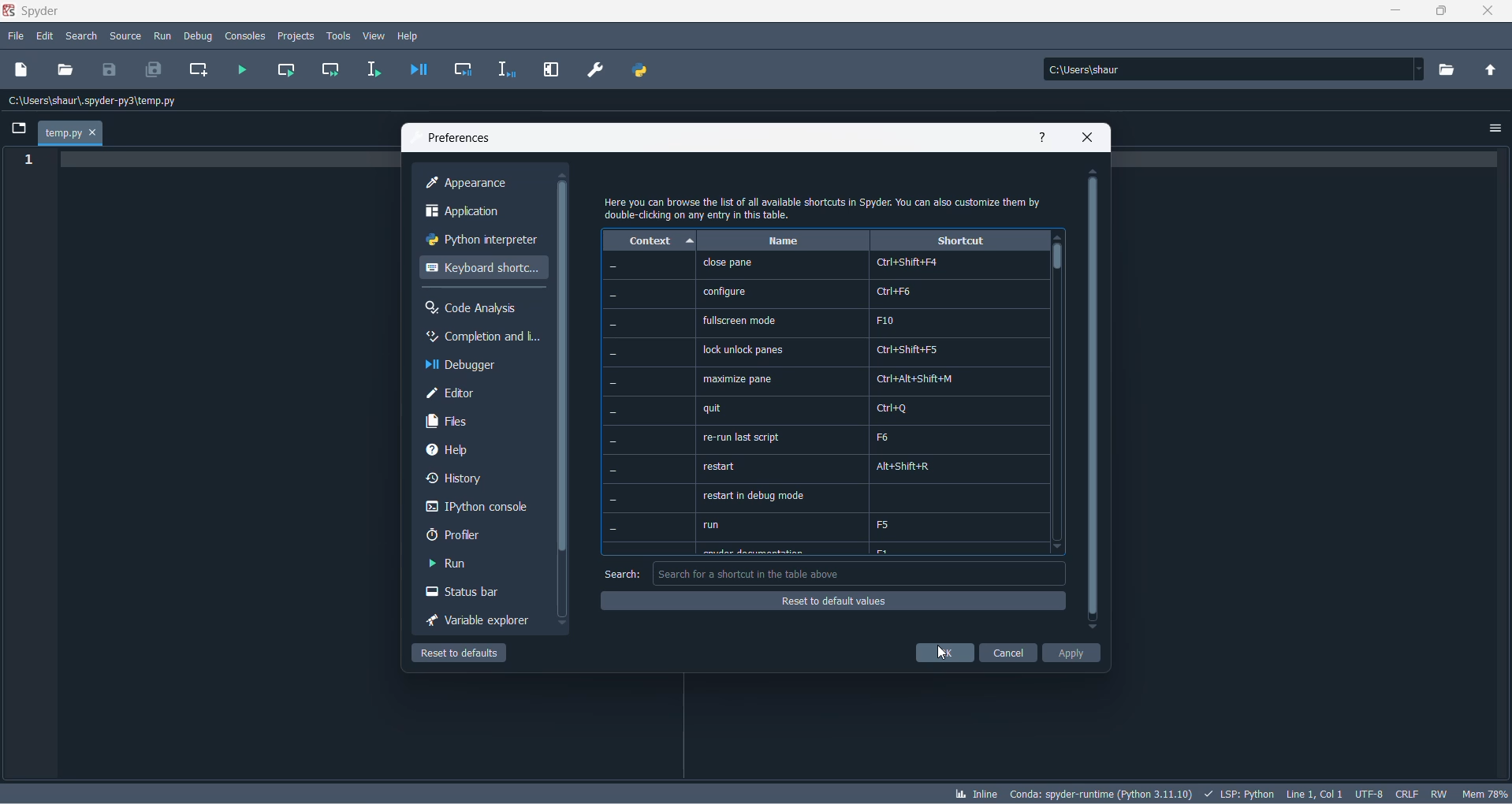 The image size is (1512, 804). What do you see at coordinates (639, 68) in the screenshot?
I see `PYTHON PATH MANAGER` at bounding box center [639, 68].